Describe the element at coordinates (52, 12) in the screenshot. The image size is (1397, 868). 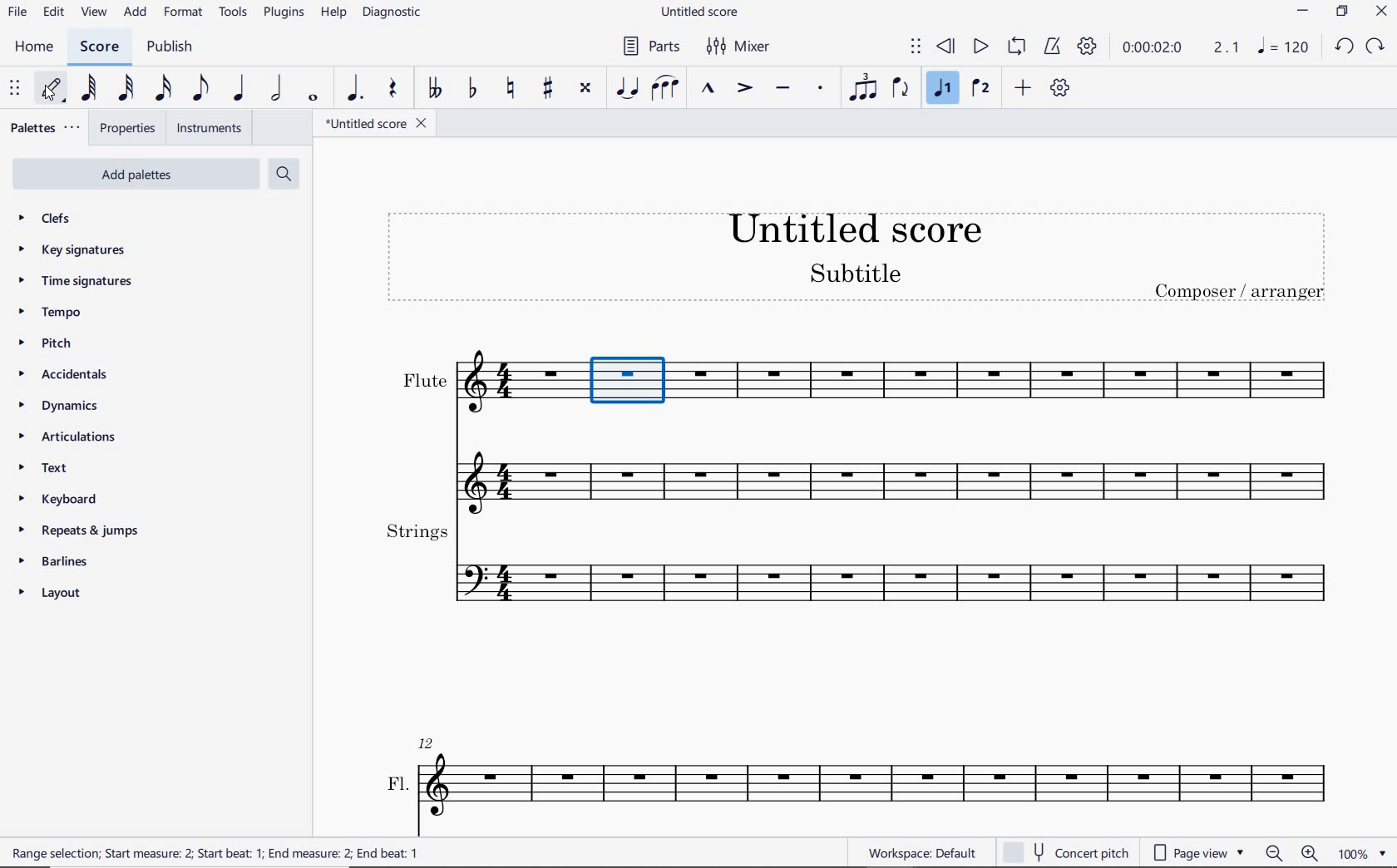
I see `edit` at that location.